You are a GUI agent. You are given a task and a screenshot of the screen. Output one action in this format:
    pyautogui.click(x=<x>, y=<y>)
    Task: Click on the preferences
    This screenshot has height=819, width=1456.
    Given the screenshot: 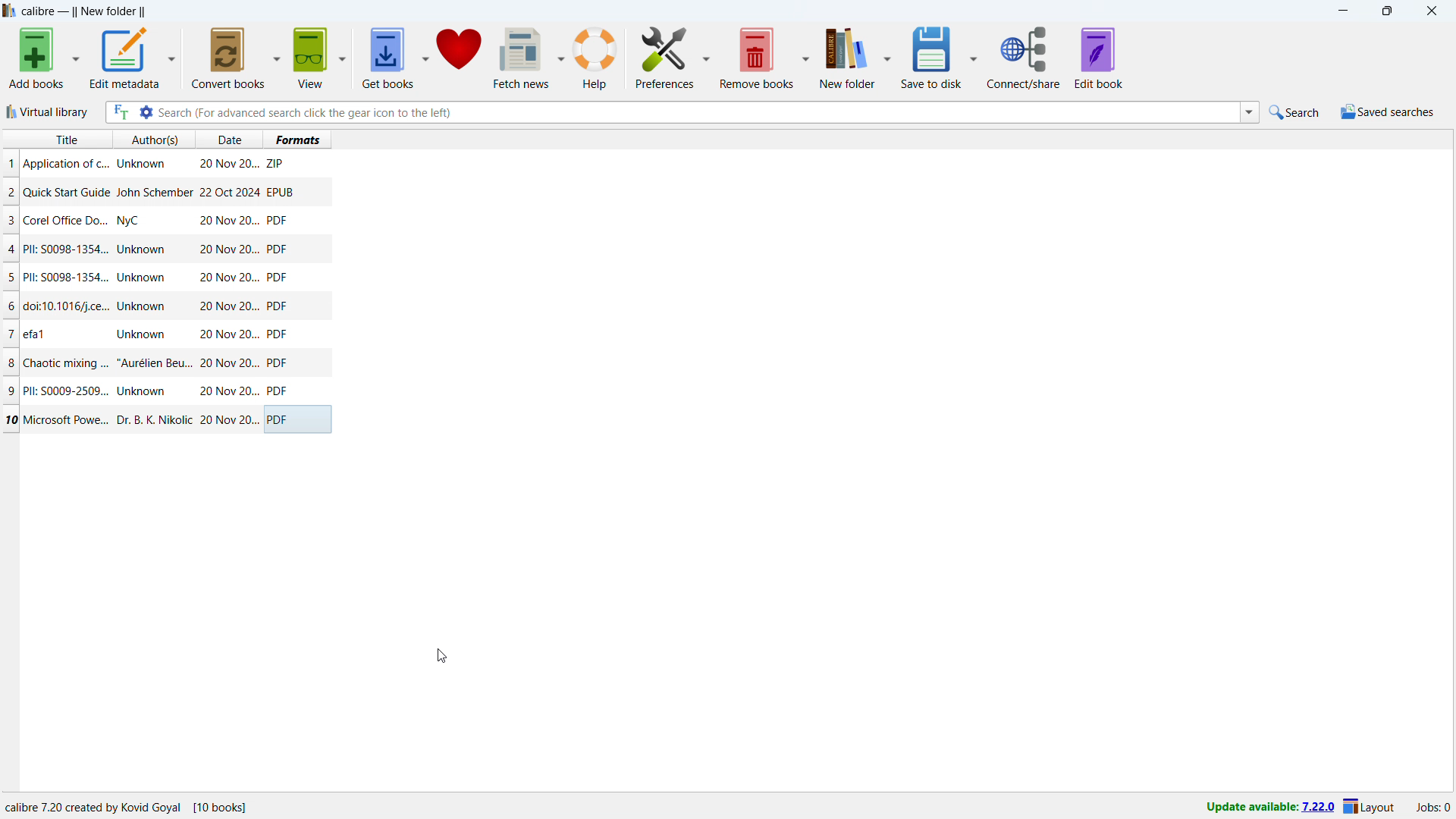 What is the action you would take?
    pyautogui.click(x=664, y=57)
    